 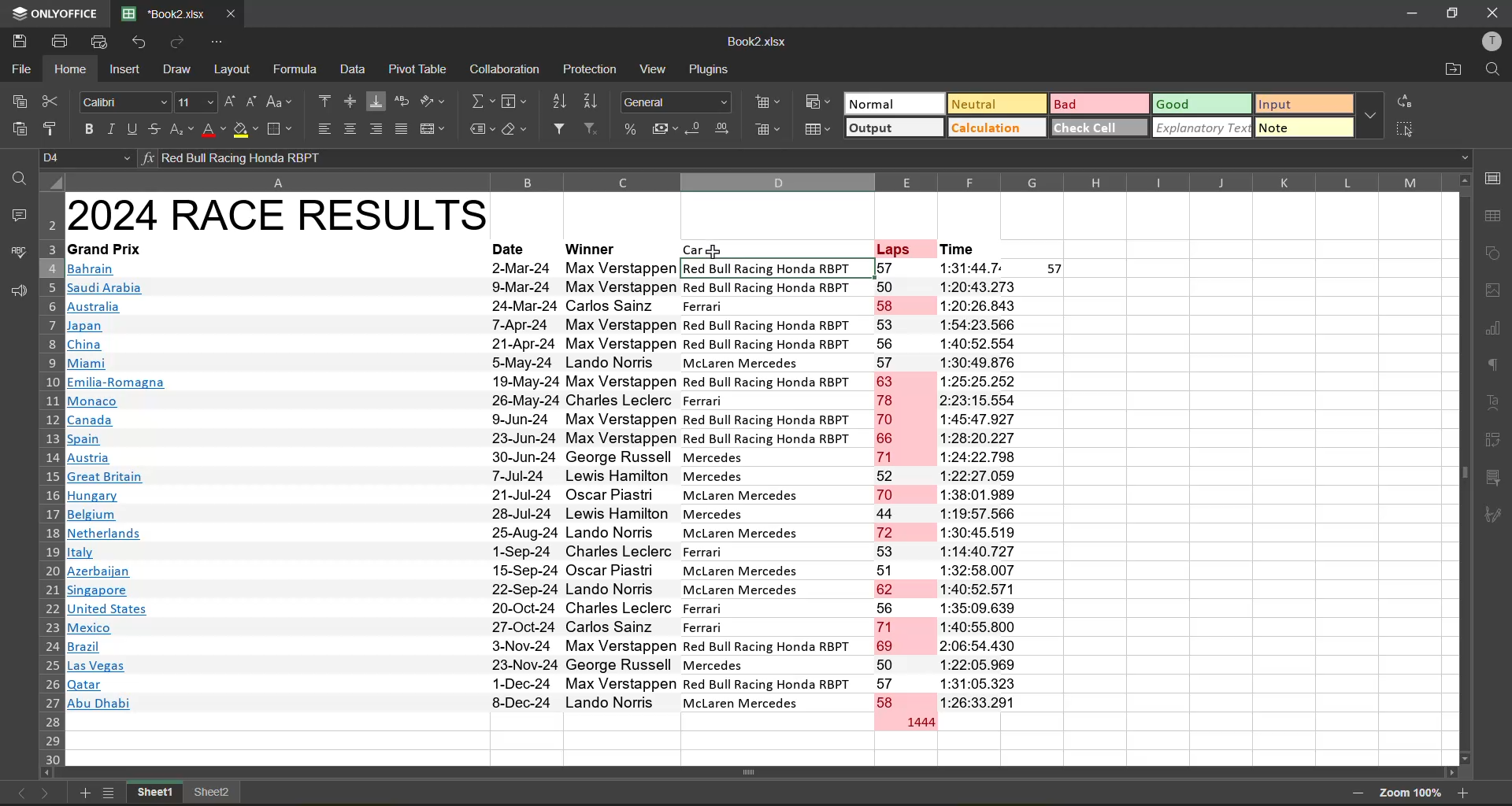 I want to click on sort descending, so click(x=591, y=99).